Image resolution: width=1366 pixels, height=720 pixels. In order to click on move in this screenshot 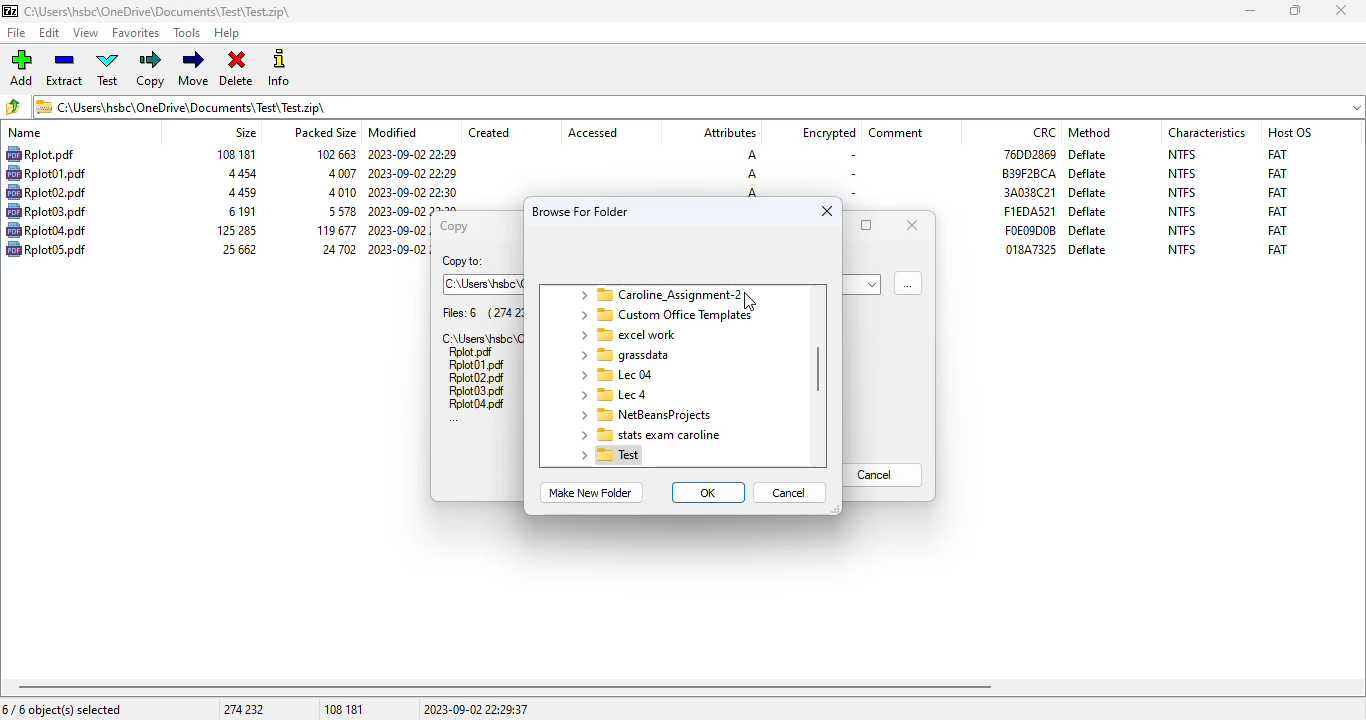, I will do `click(193, 68)`.